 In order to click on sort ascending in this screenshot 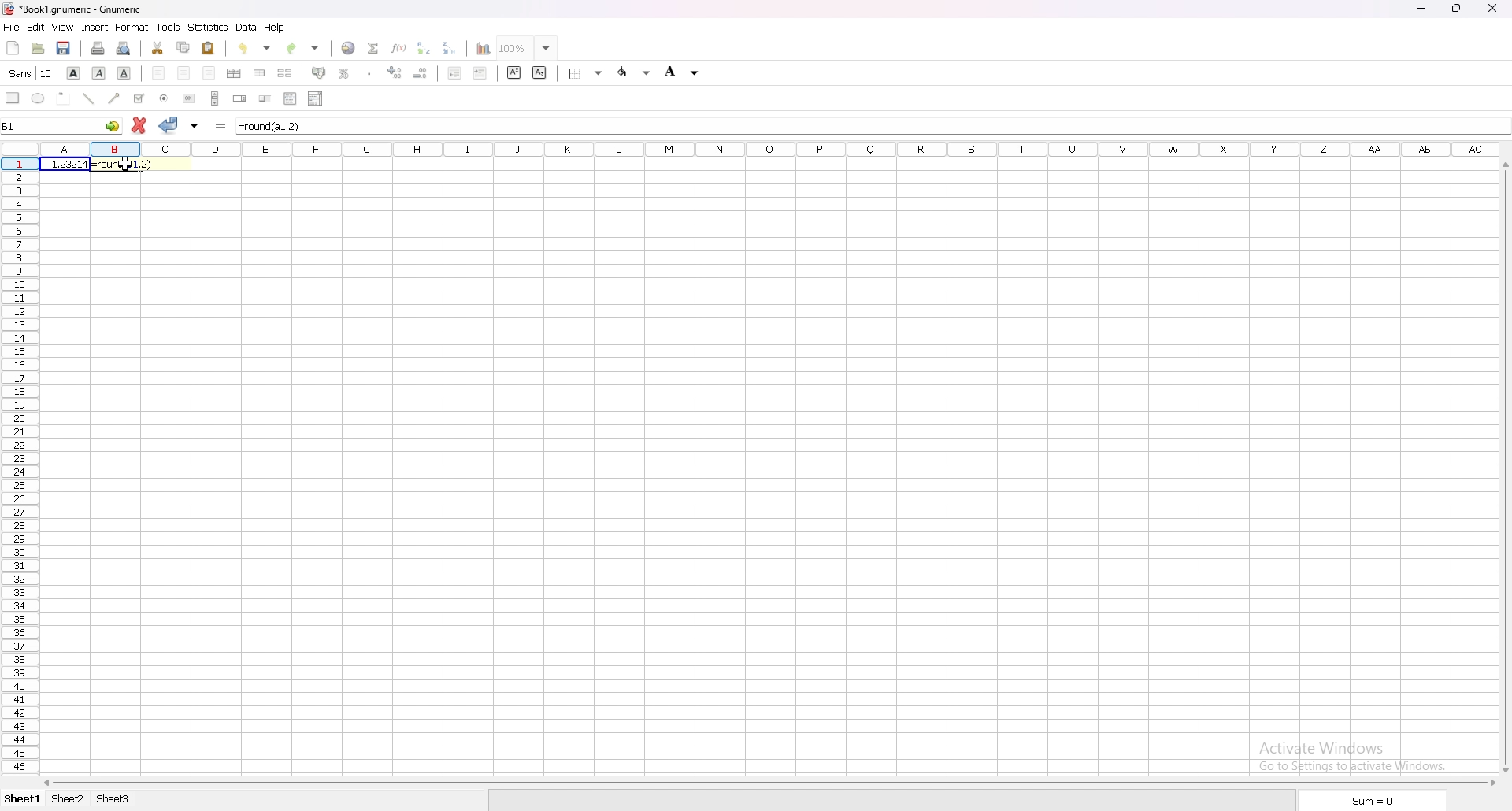, I will do `click(424, 48)`.